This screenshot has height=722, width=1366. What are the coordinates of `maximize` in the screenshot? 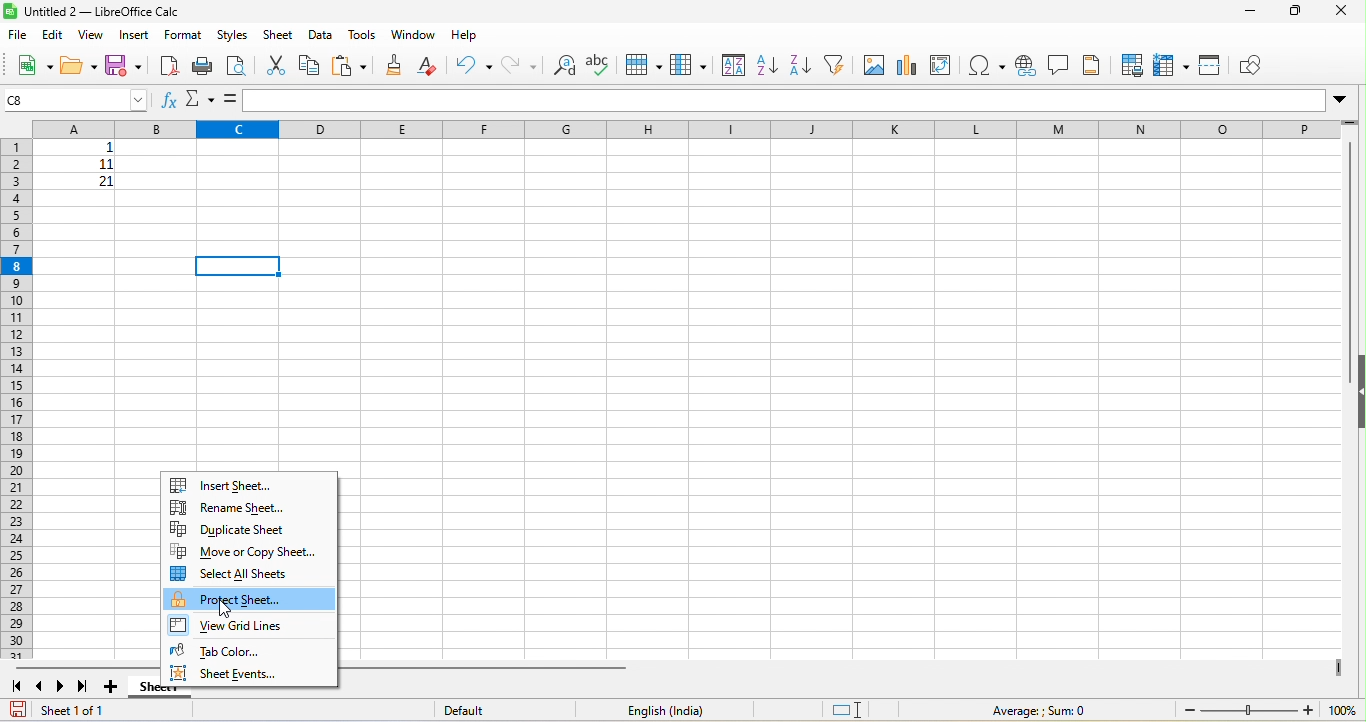 It's located at (1297, 13).